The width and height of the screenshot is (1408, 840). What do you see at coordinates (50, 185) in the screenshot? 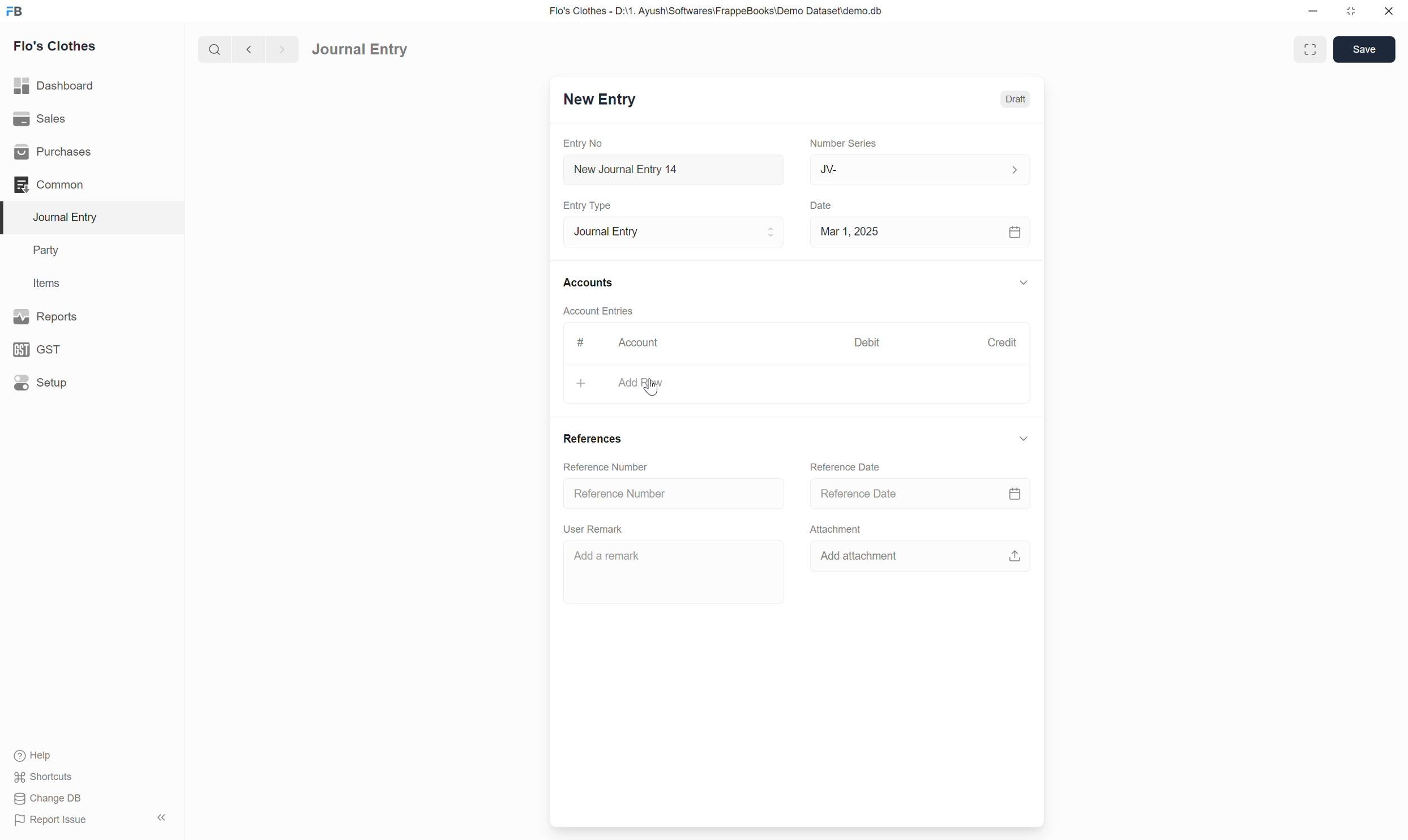
I see `Common` at bounding box center [50, 185].